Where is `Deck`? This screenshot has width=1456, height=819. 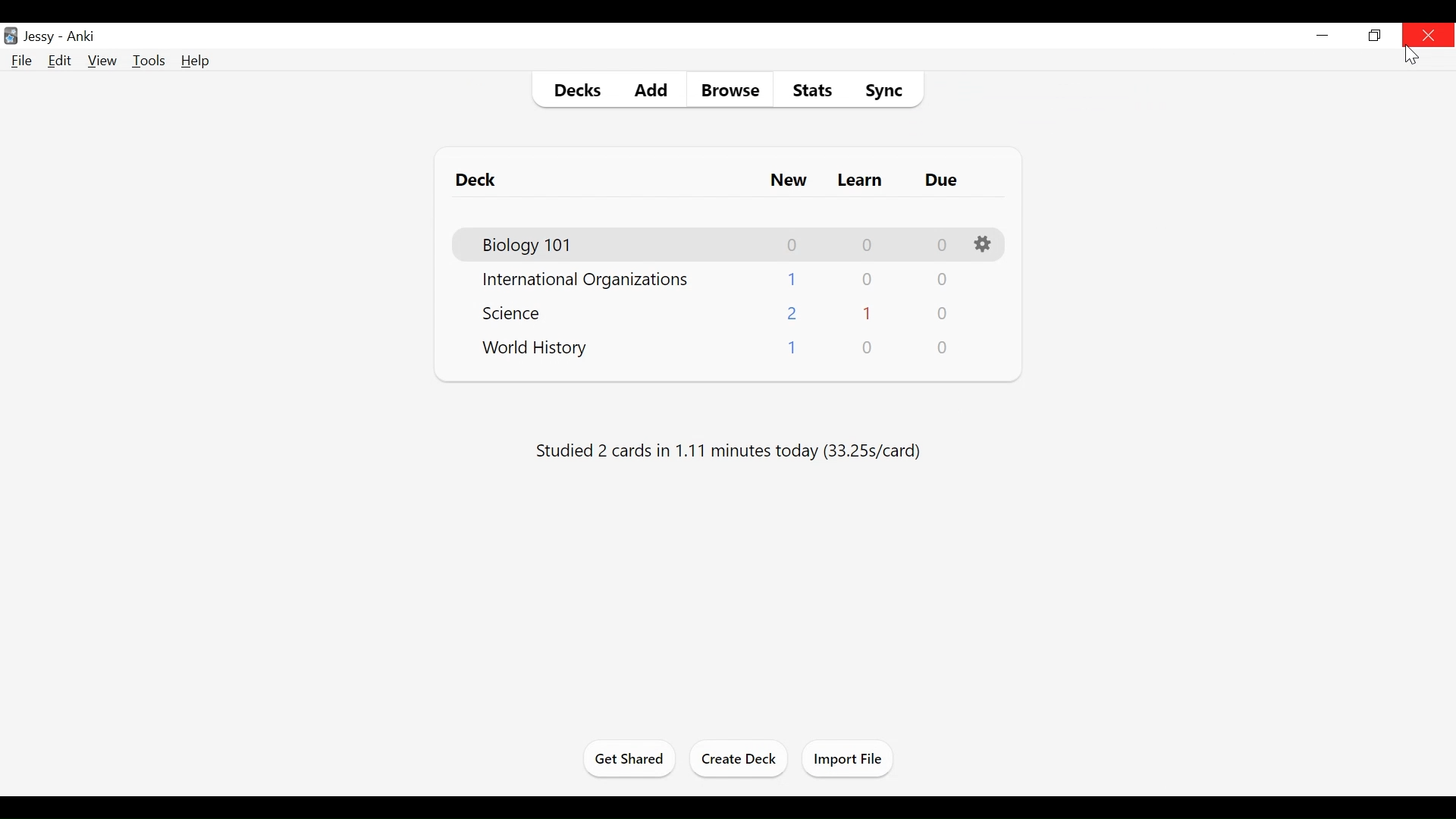
Deck is located at coordinates (475, 180).